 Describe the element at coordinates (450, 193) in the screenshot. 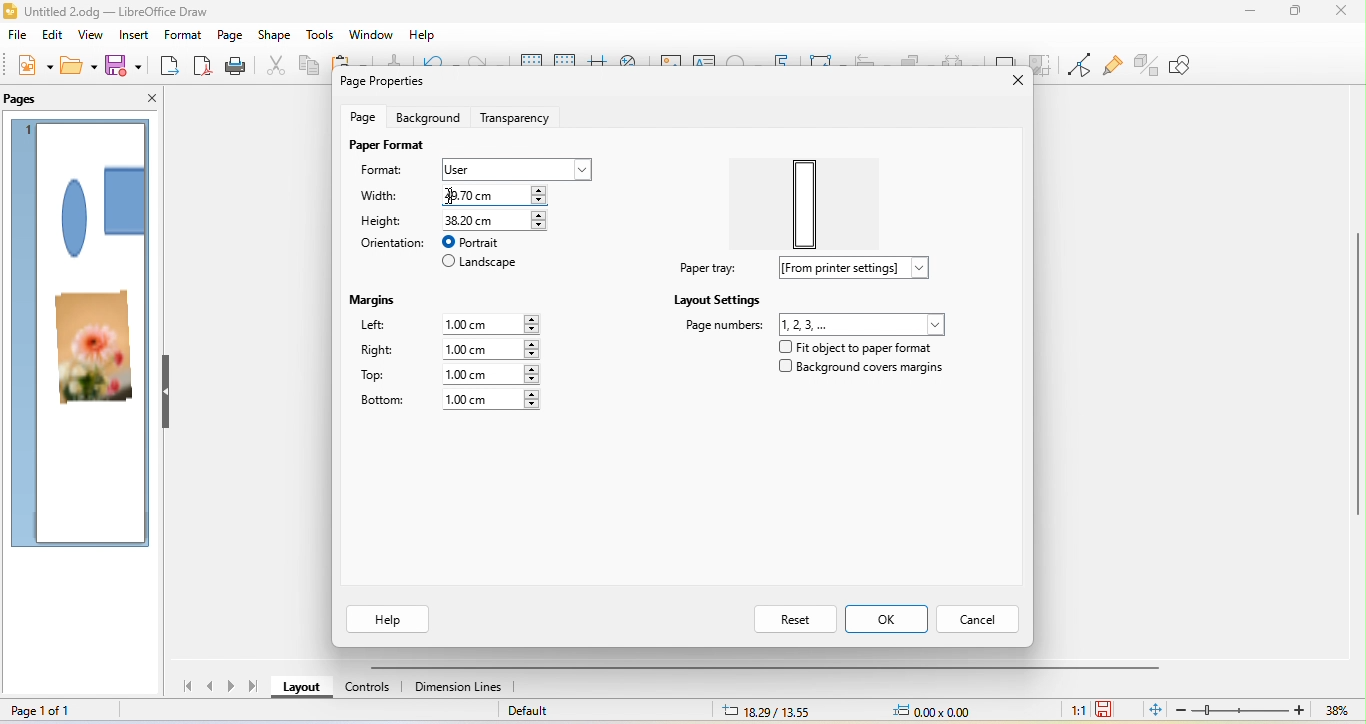

I see `cursor movement` at that location.